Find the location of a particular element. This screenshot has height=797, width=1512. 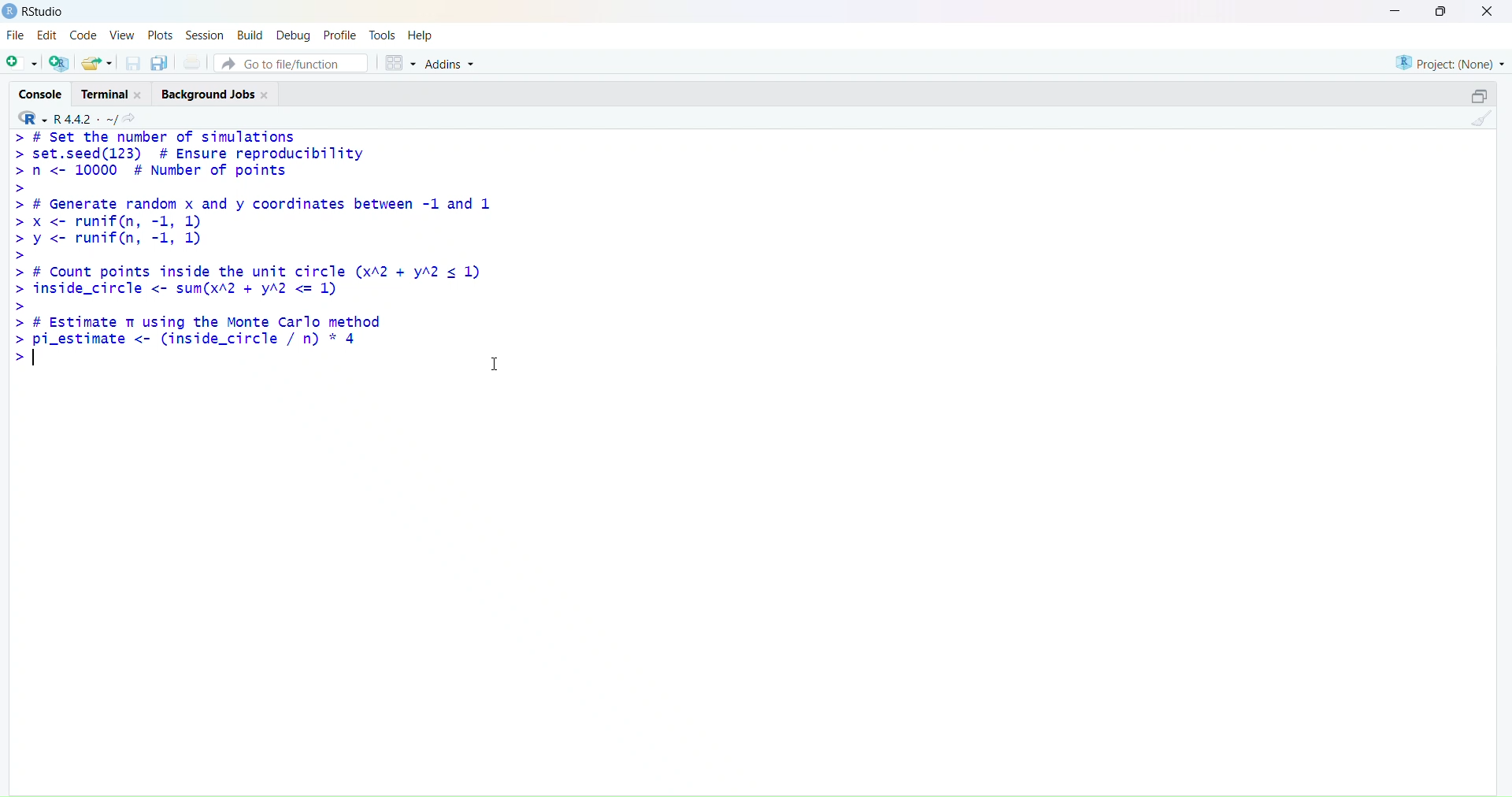

Build is located at coordinates (250, 34).